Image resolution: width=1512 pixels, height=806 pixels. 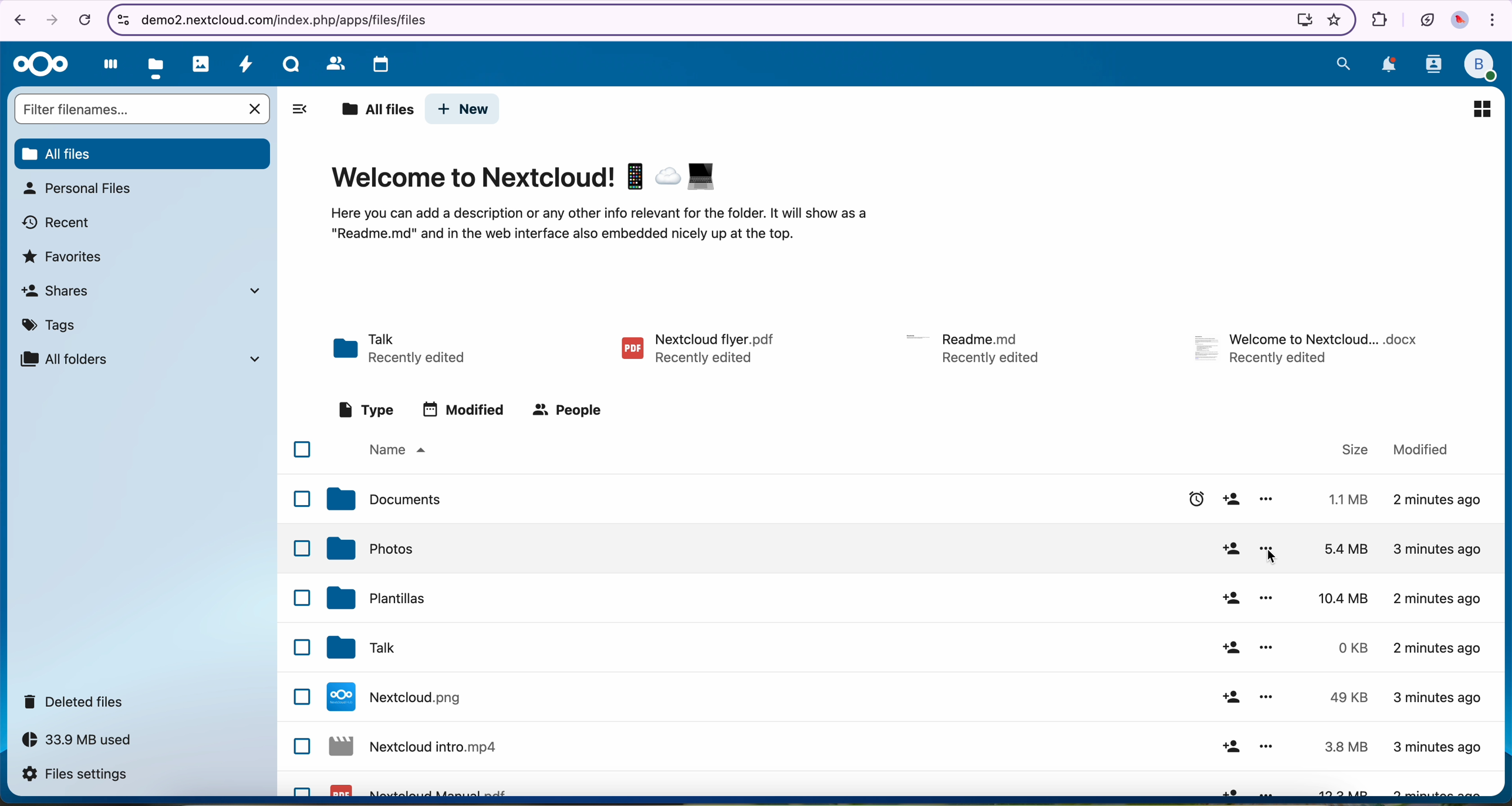 I want to click on 3 minutes ago, so click(x=1437, y=548).